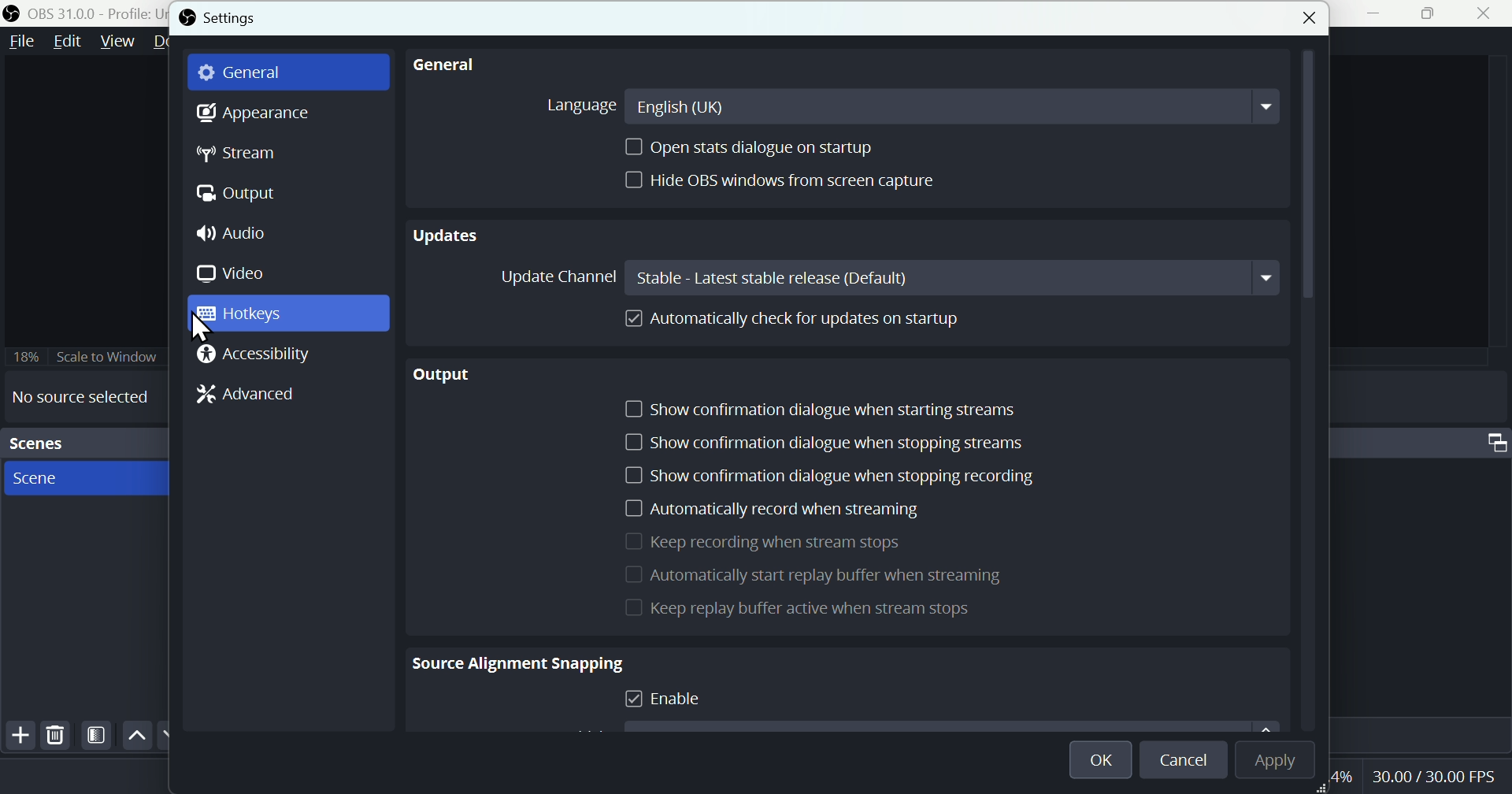 The height and width of the screenshot is (794, 1512). Describe the element at coordinates (770, 543) in the screenshot. I see `Keep recording when streams stops` at that location.